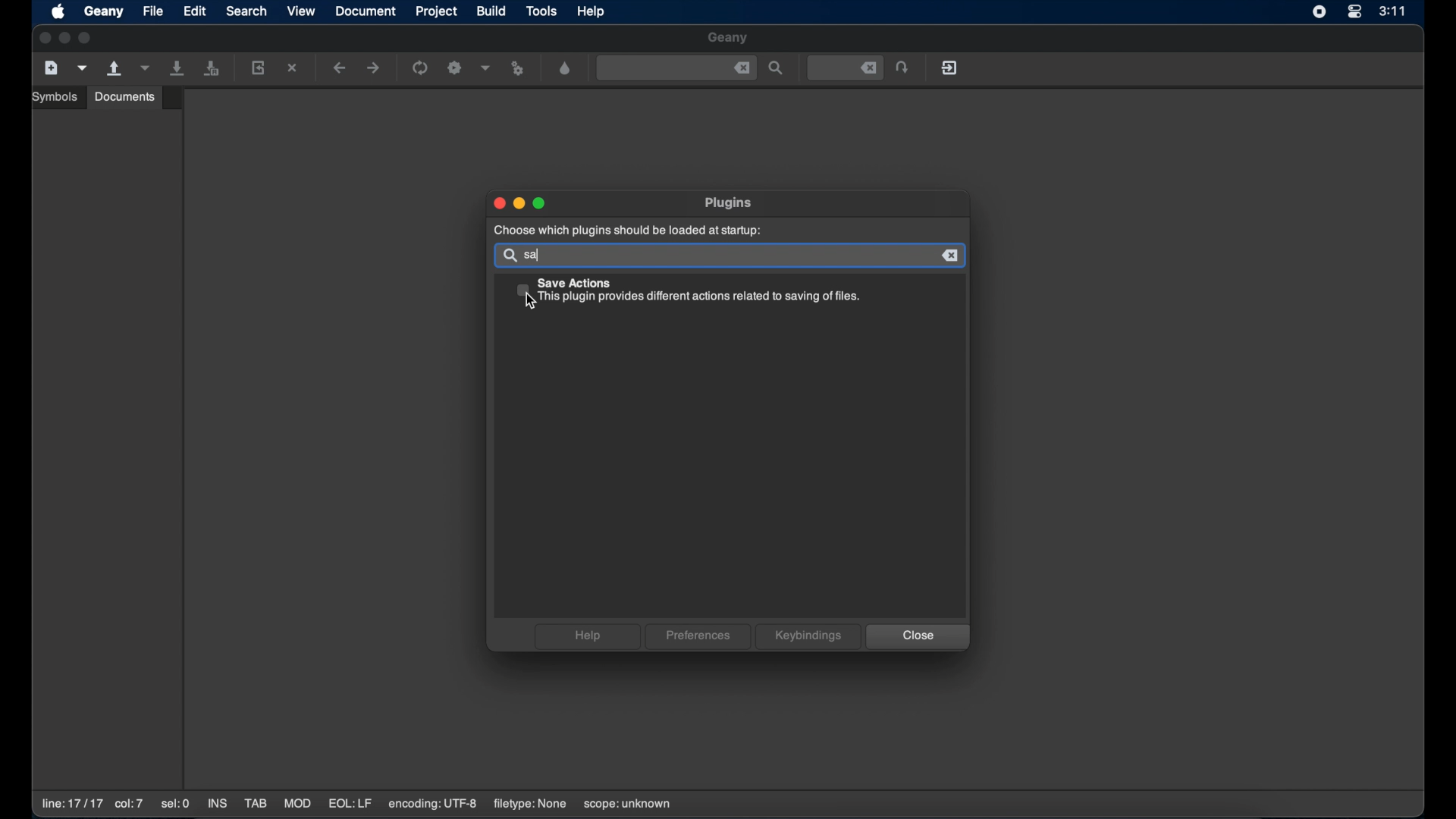 The height and width of the screenshot is (819, 1456). I want to click on preferences, so click(698, 637).